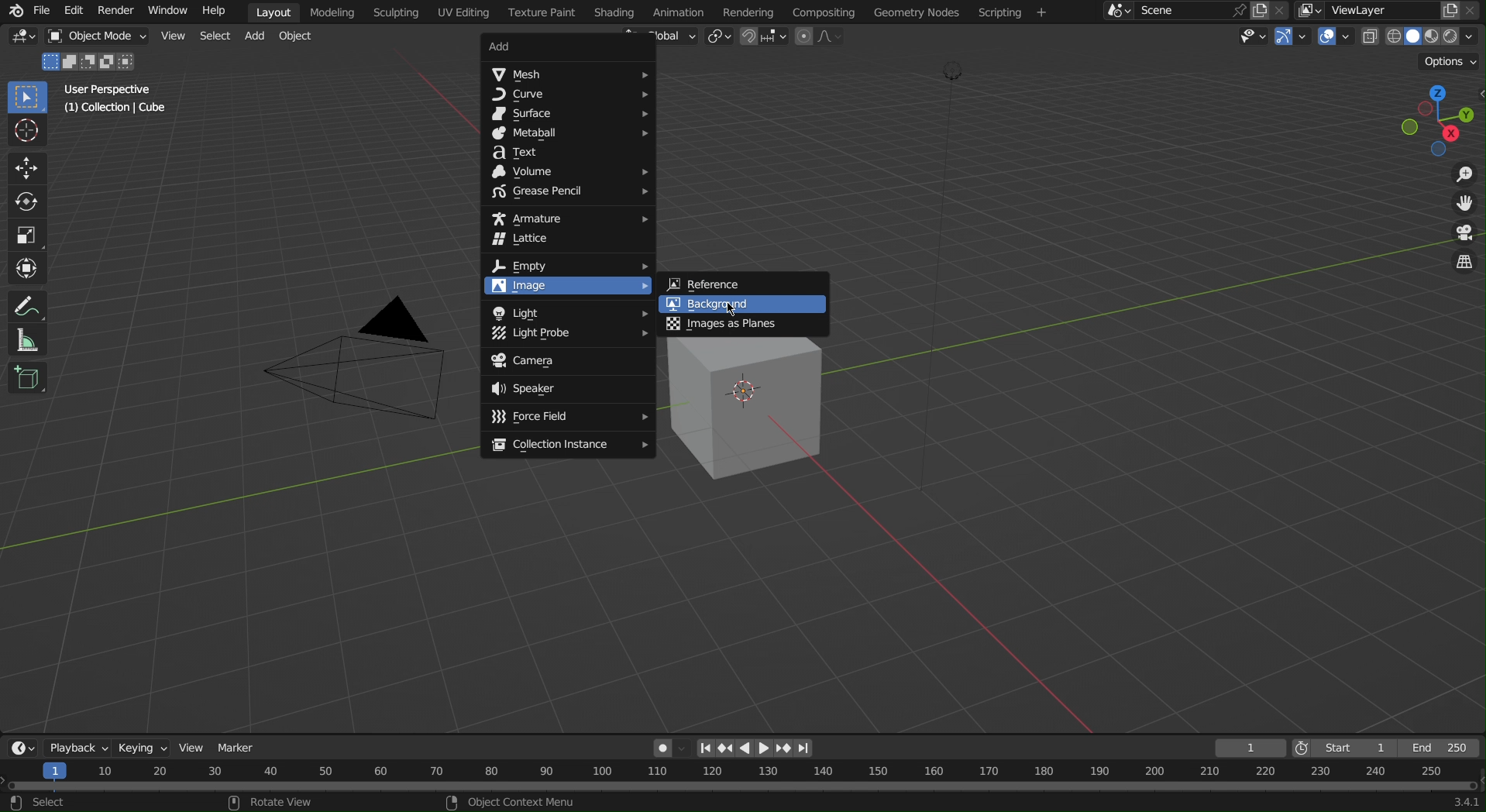  What do you see at coordinates (362, 367) in the screenshot?
I see `Camera` at bounding box center [362, 367].